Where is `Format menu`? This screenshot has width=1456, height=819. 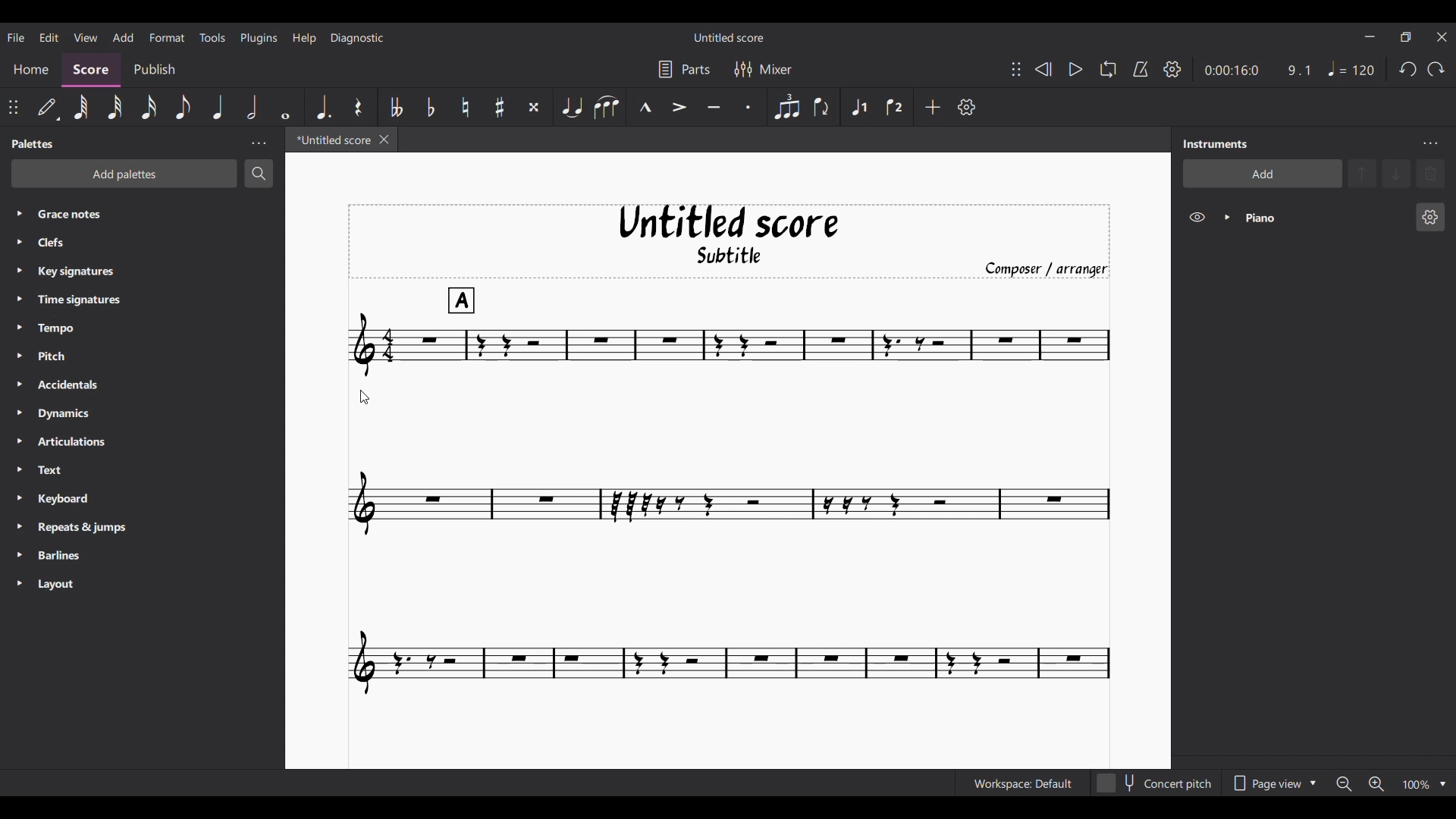
Format menu is located at coordinates (167, 36).